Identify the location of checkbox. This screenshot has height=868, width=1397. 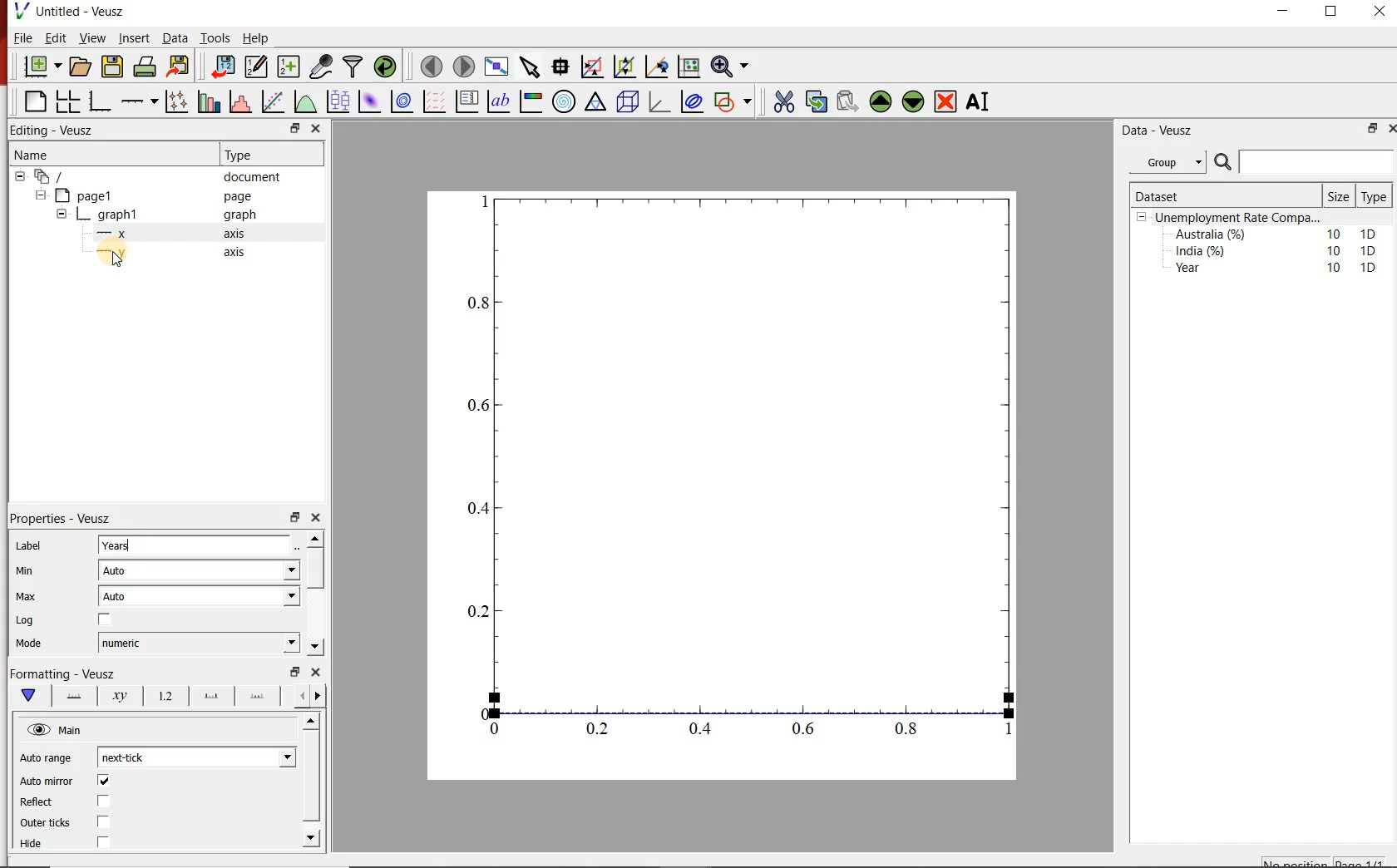
(105, 823).